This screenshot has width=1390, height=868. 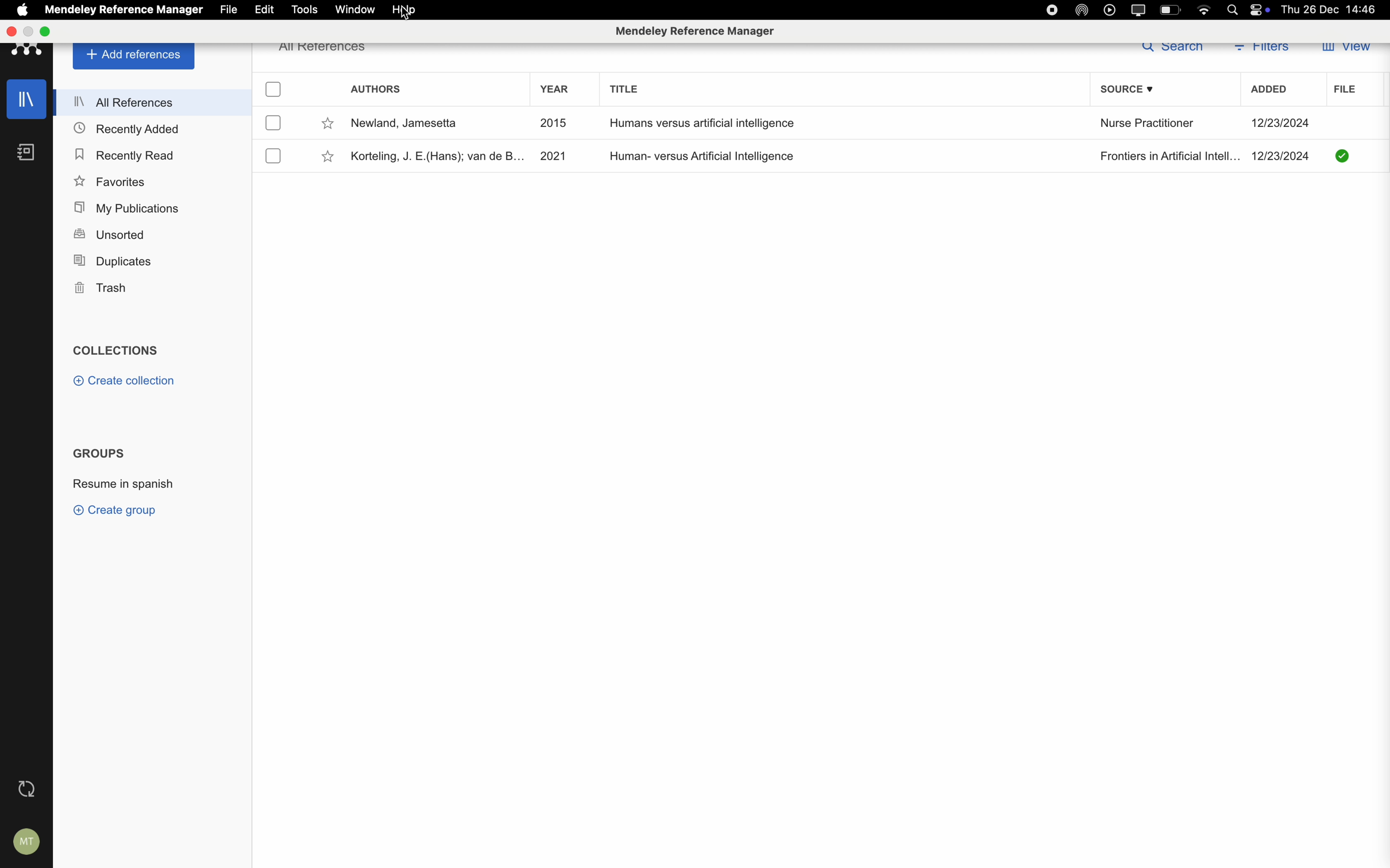 I want to click on all references, so click(x=322, y=47).